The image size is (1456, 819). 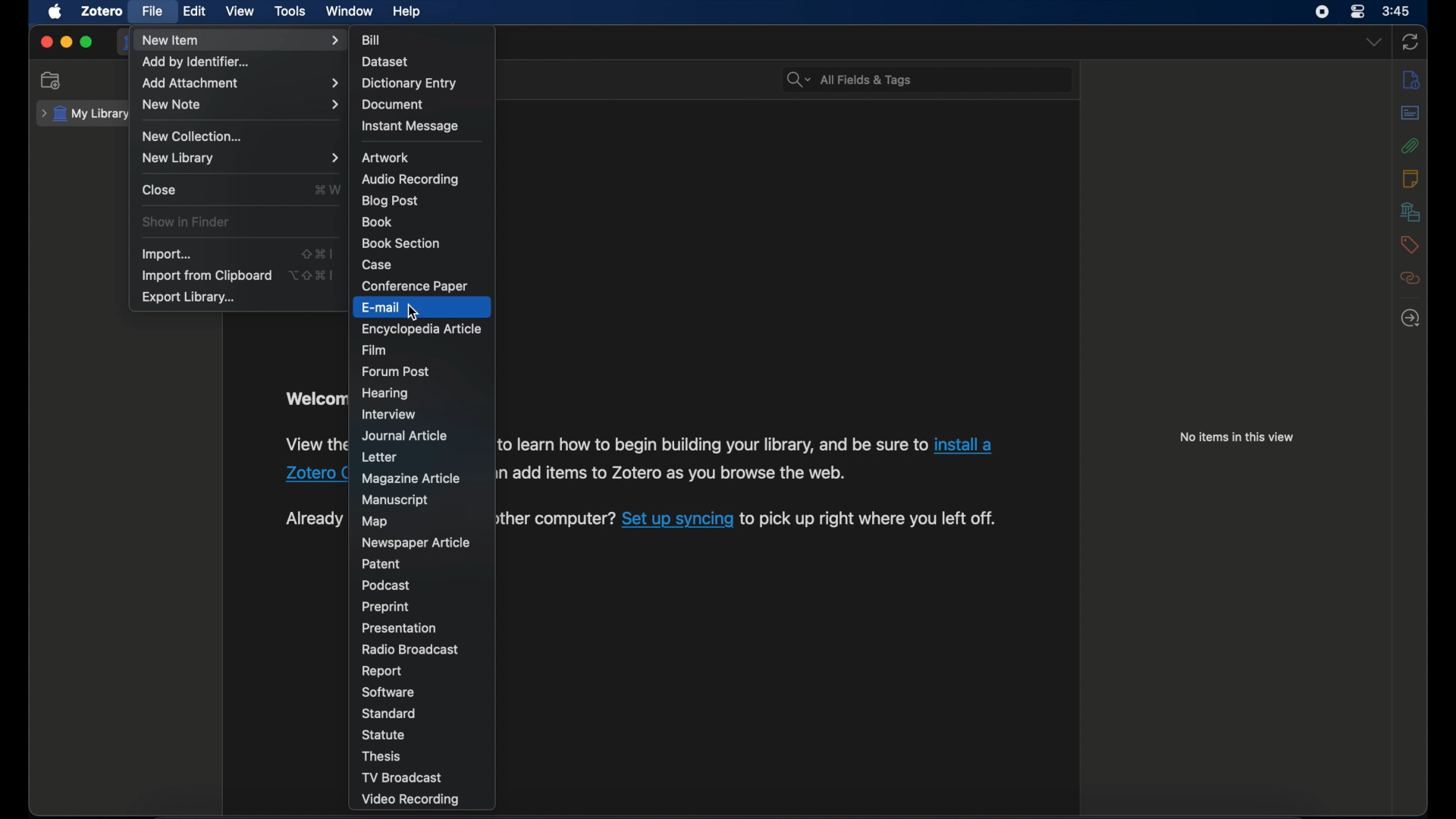 I want to click on hearing, so click(x=387, y=394).